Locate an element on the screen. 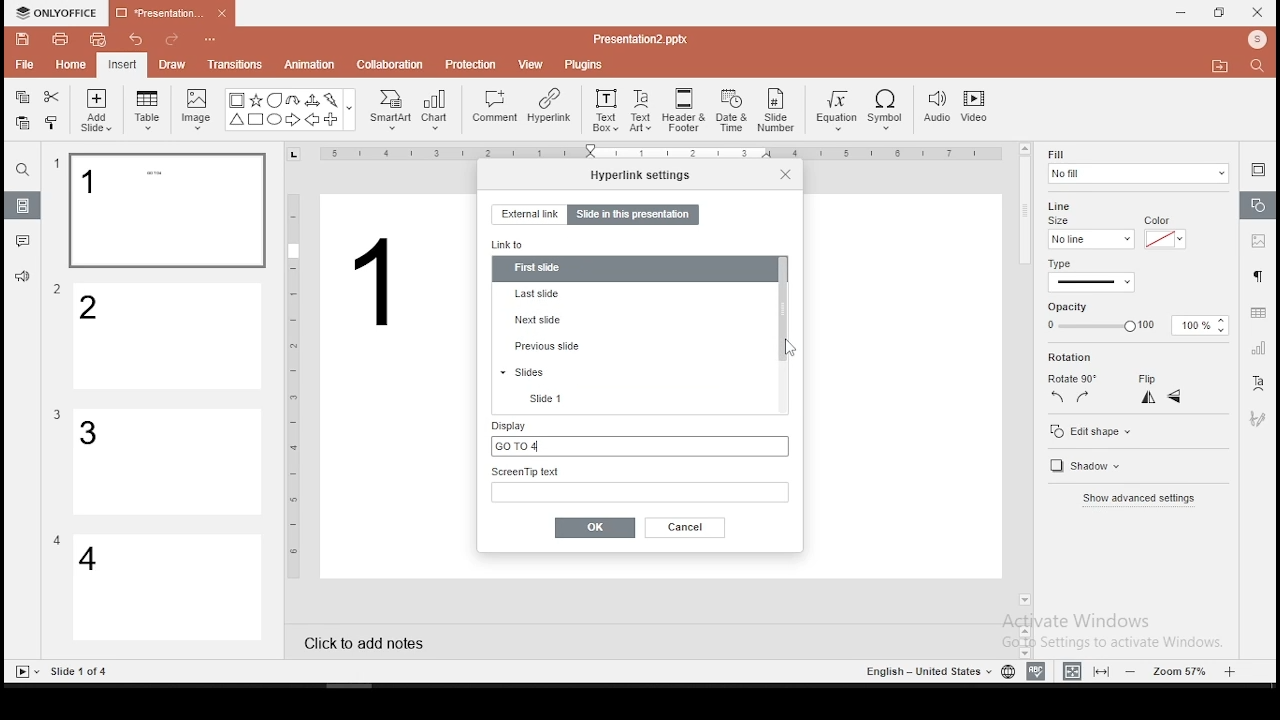 The width and height of the screenshot is (1280, 720). fit to width is located at coordinates (1068, 670).